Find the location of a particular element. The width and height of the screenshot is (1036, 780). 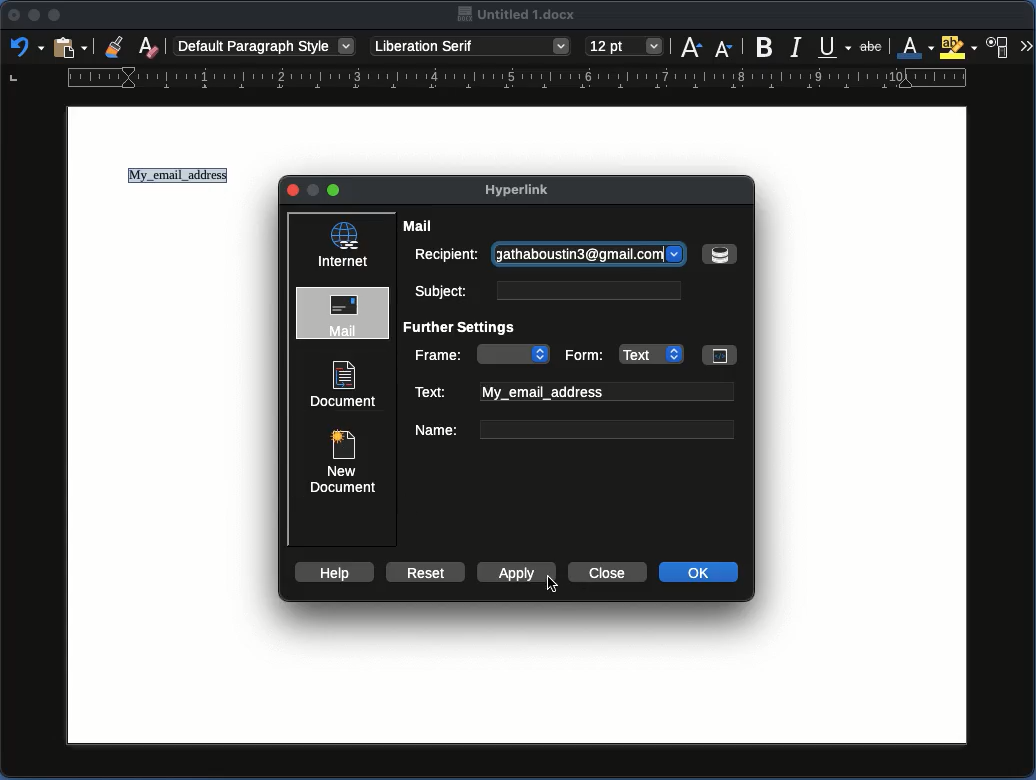

Redo is located at coordinates (25, 46).